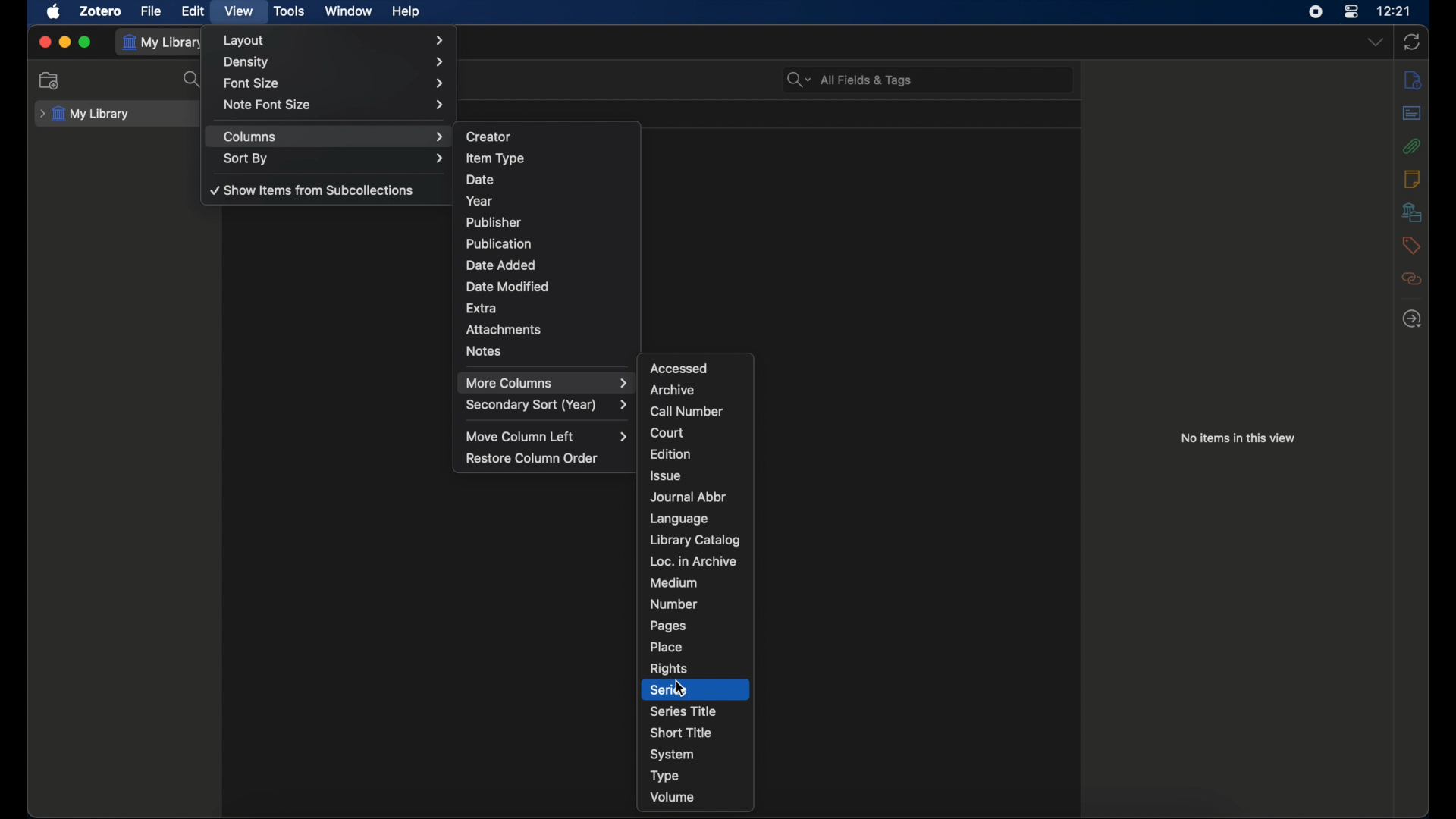  What do you see at coordinates (547, 382) in the screenshot?
I see `more columns` at bounding box center [547, 382].